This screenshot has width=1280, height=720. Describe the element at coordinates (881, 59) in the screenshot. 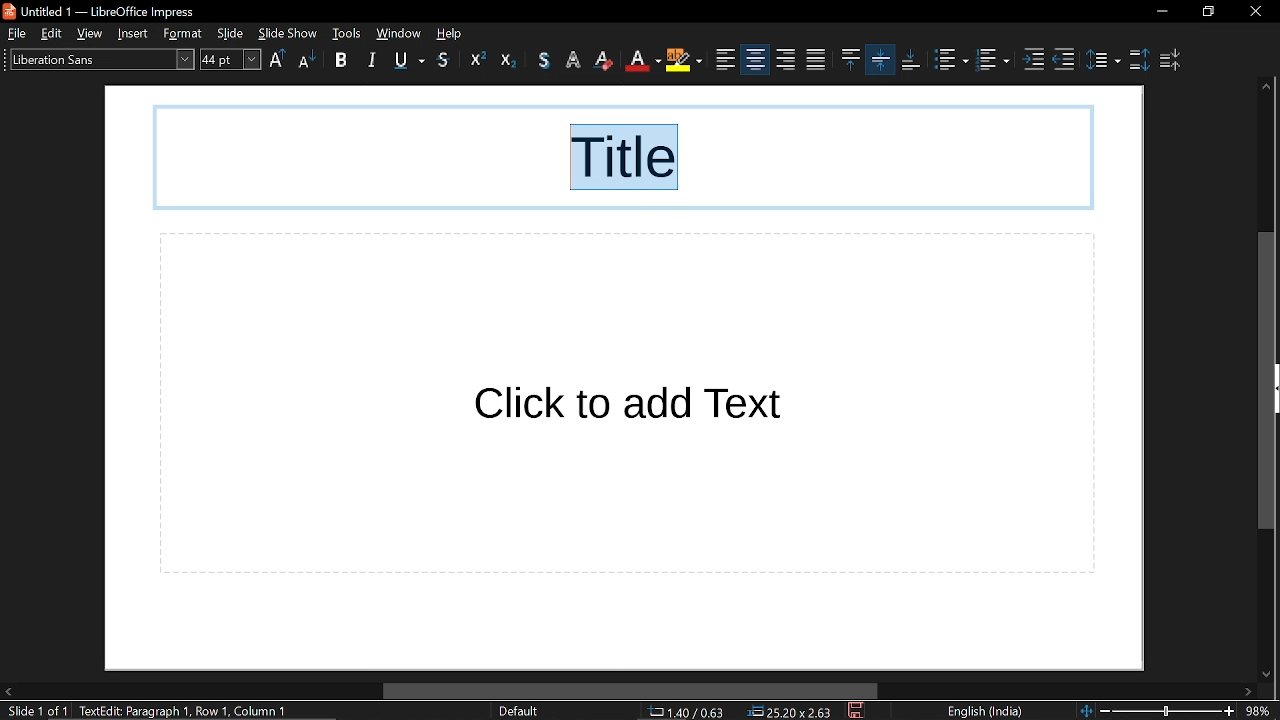

I see `align bottom` at that location.